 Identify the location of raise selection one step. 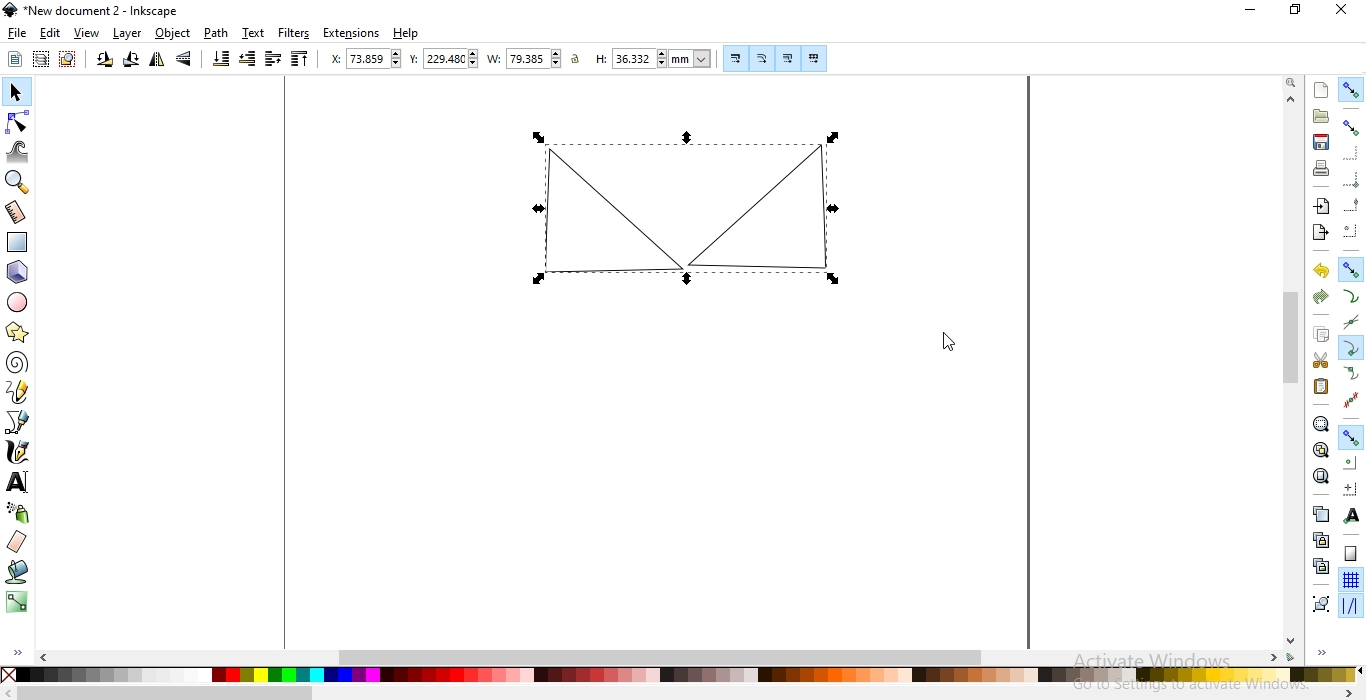
(272, 60).